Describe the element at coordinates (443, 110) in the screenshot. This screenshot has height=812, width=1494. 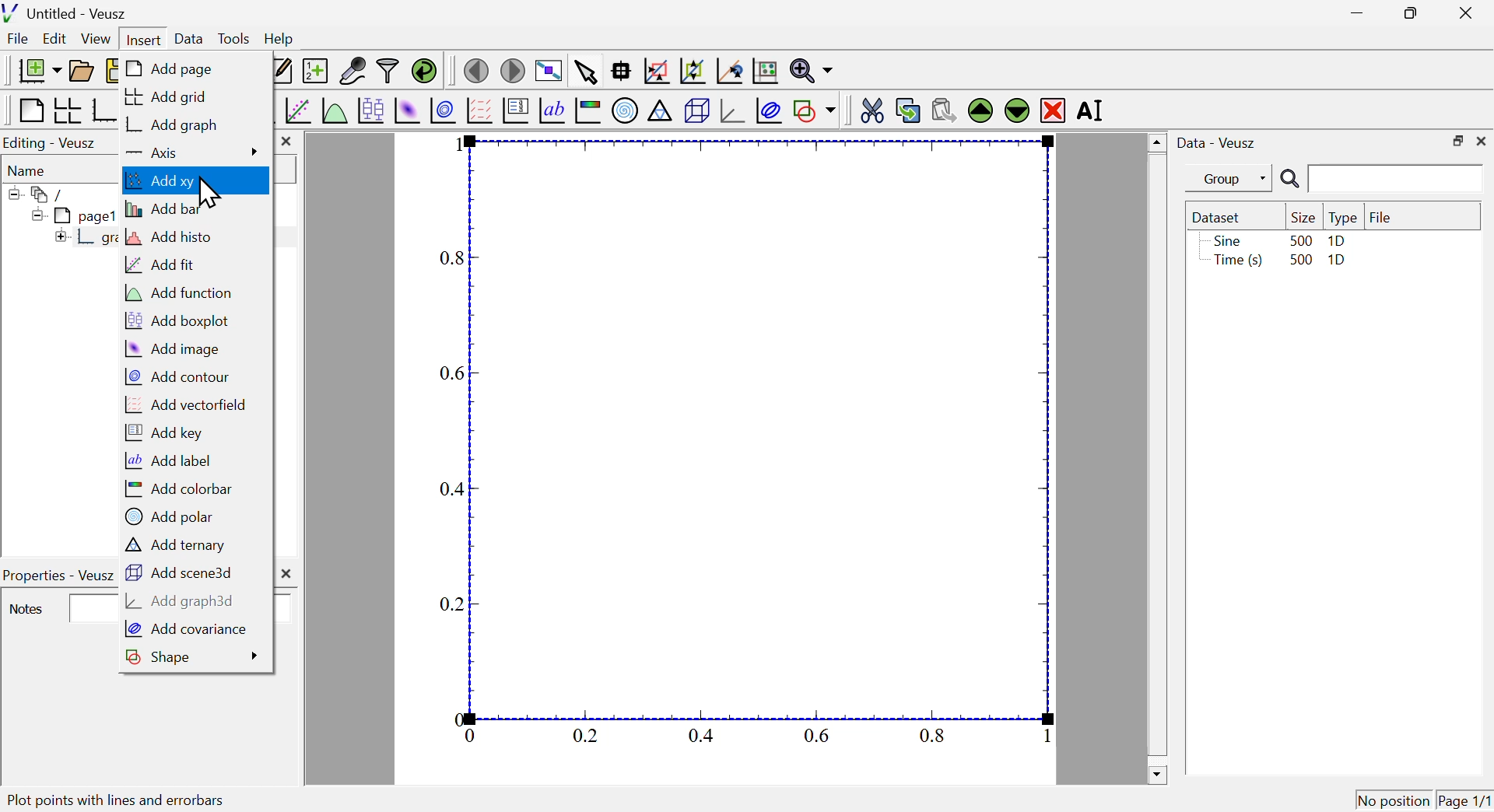
I see `plot a 2d dataset as contours` at that location.